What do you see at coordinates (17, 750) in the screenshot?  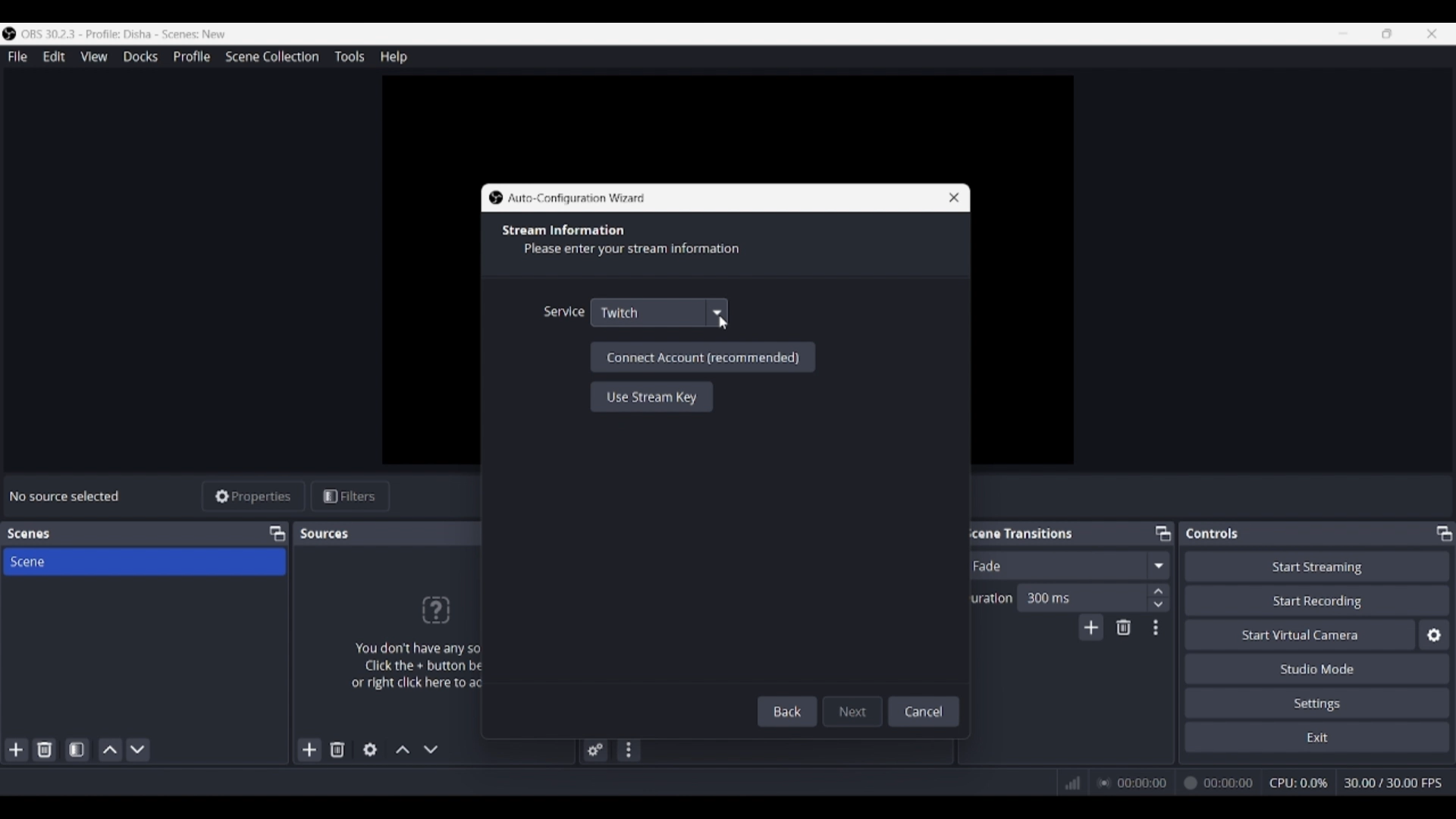 I see `Add scene` at bounding box center [17, 750].